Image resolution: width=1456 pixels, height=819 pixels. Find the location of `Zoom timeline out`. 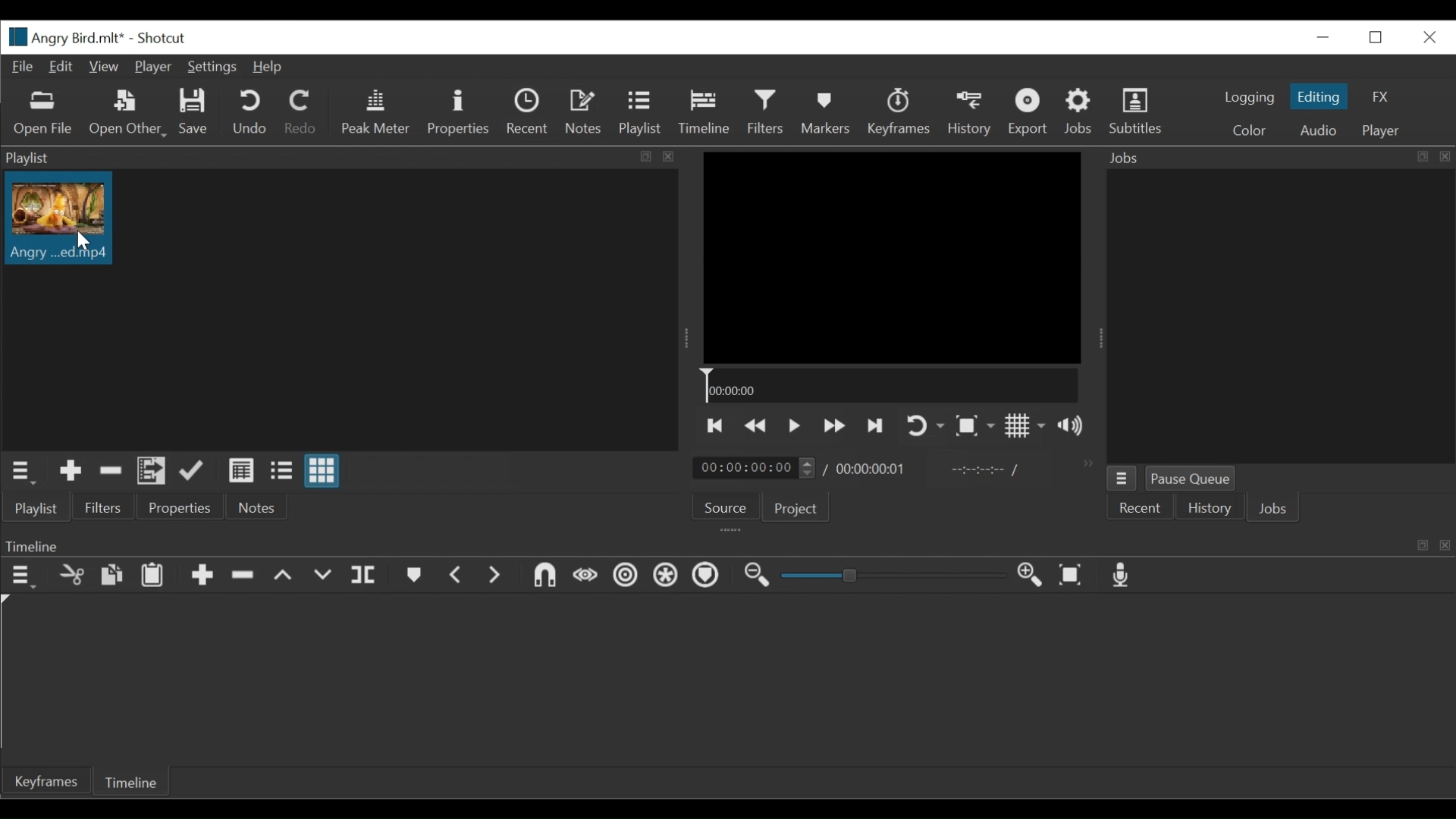

Zoom timeline out is located at coordinates (757, 576).